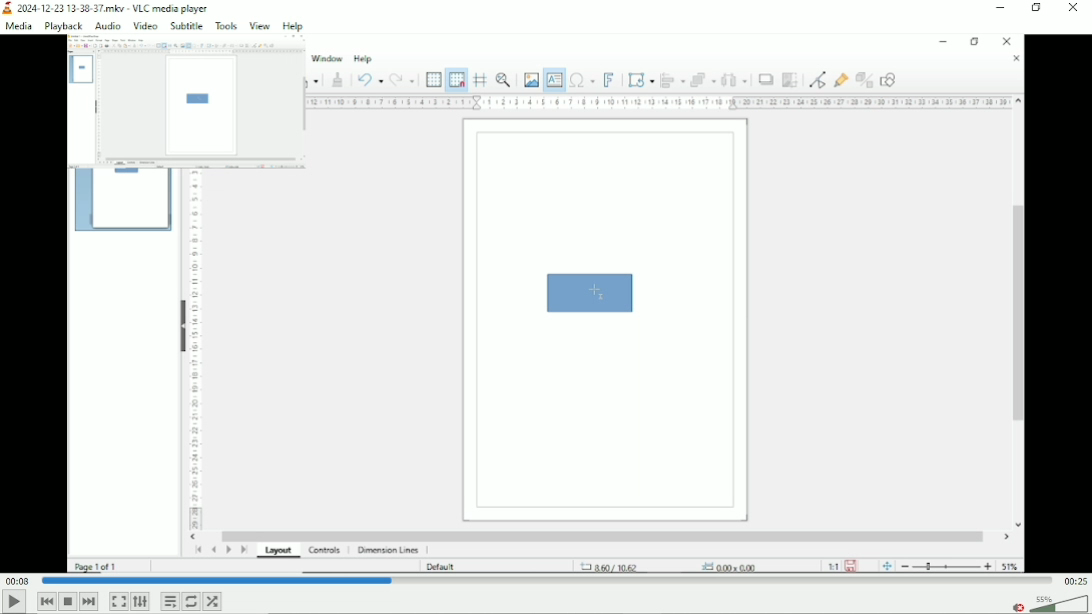 The height and width of the screenshot is (614, 1092). I want to click on Total duration, so click(1076, 580).